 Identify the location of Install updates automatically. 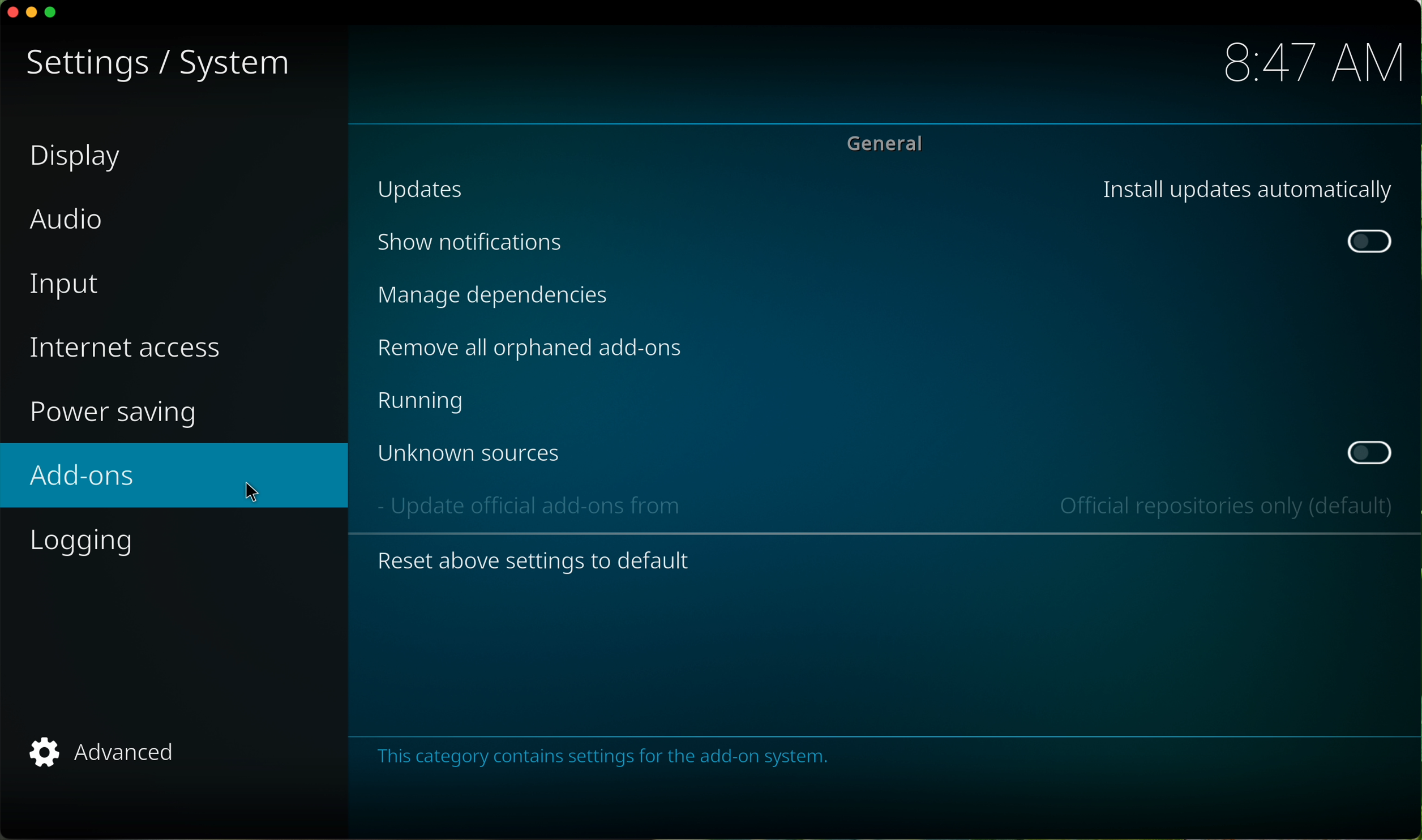
(1252, 189).